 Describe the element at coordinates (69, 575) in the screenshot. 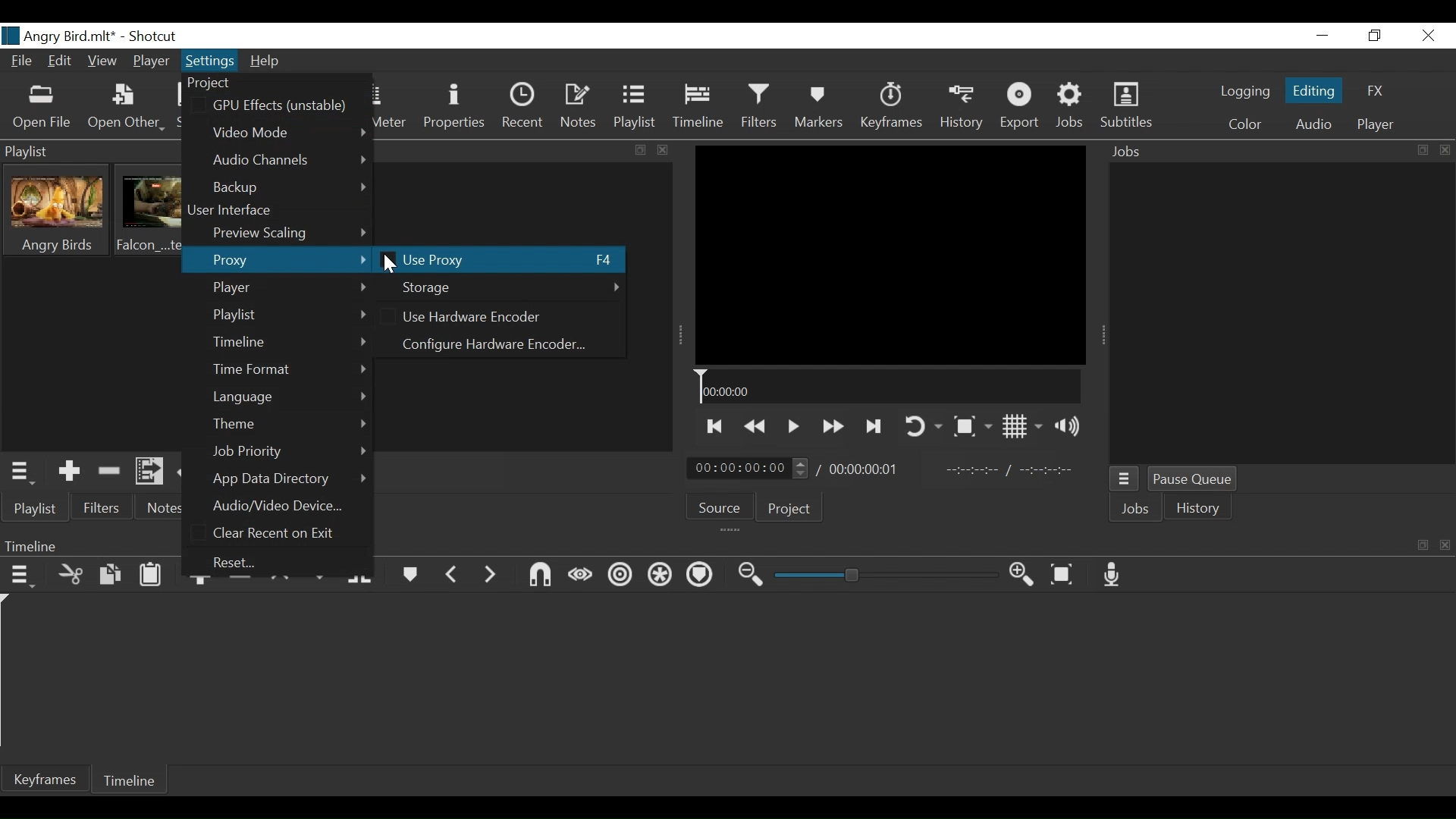

I see `Cut` at that location.